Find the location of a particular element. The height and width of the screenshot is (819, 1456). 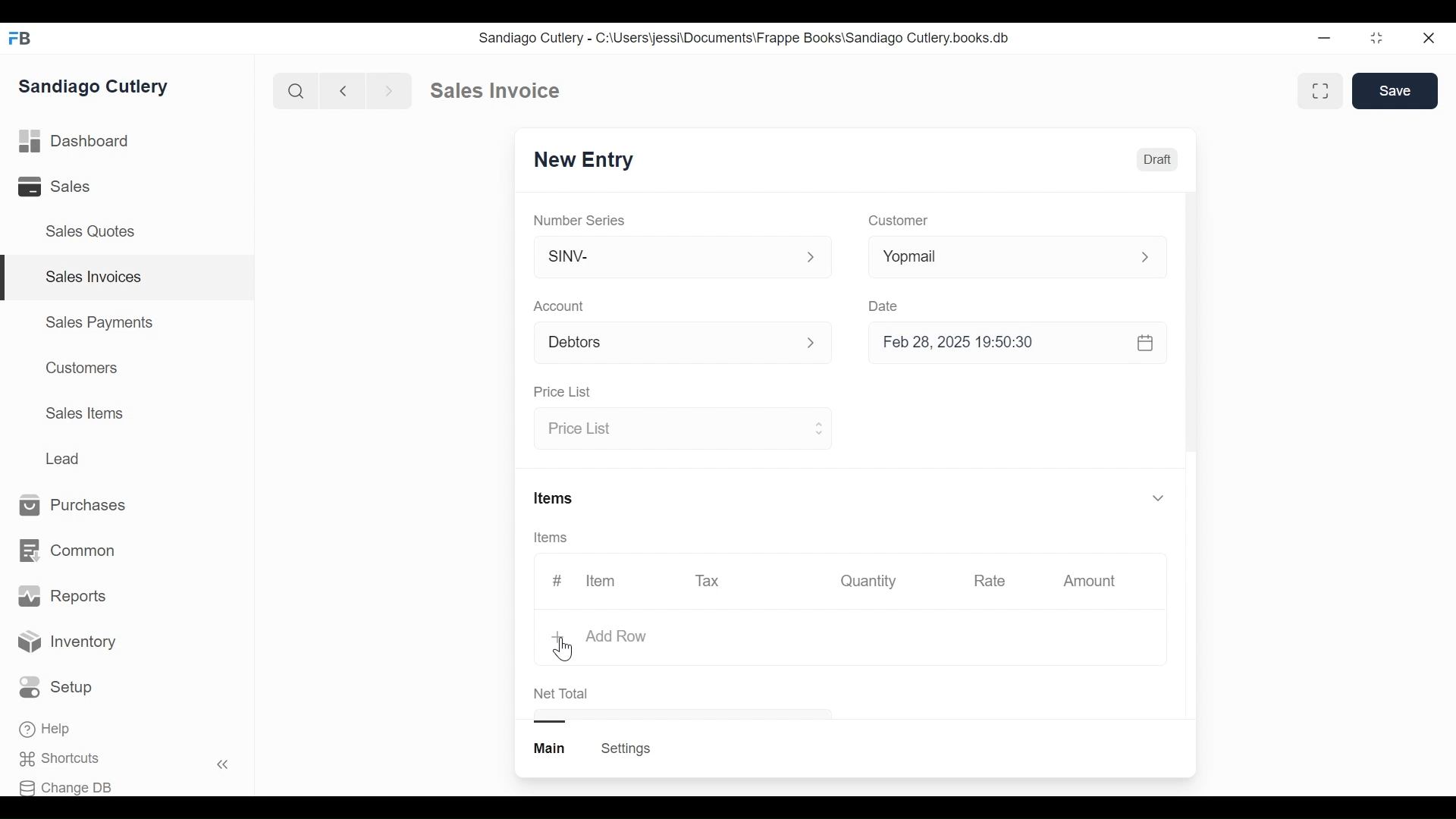

cursor is located at coordinates (562, 651).